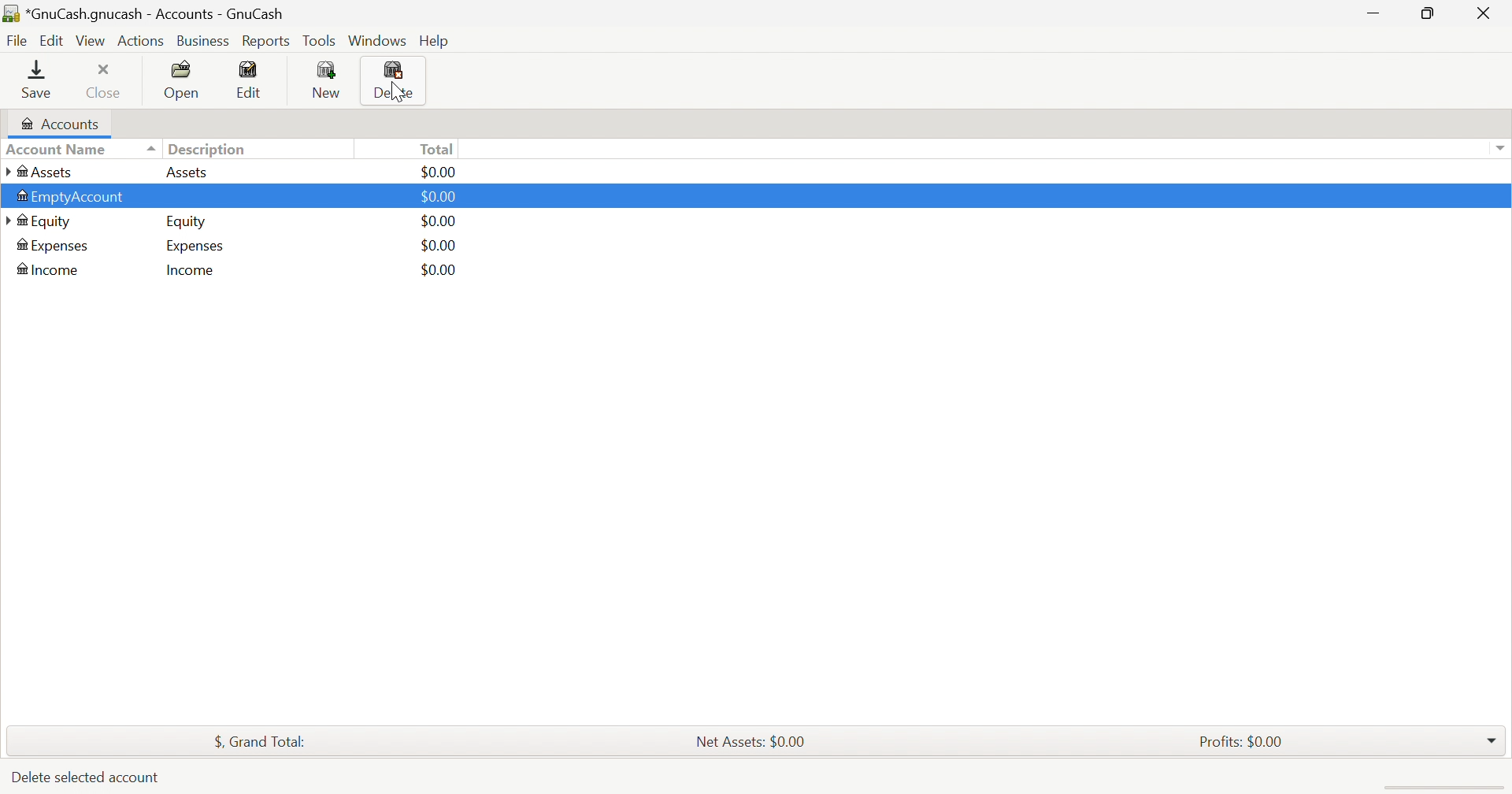 The image size is (1512, 794). What do you see at coordinates (149, 14) in the screenshot?
I see `*GnuCash.gnucash - Accounts - GnuCash` at bounding box center [149, 14].